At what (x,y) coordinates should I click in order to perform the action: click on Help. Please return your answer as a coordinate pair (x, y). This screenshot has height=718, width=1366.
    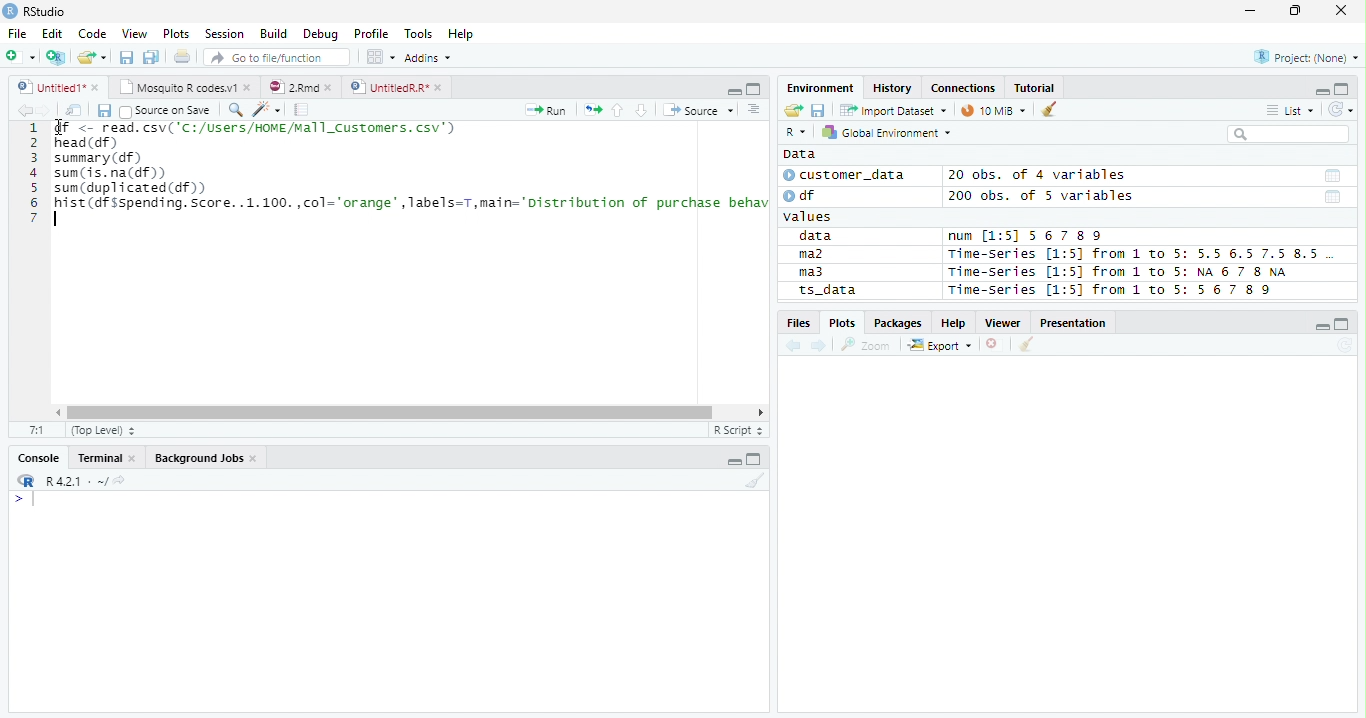
    Looking at the image, I should click on (954, 324).